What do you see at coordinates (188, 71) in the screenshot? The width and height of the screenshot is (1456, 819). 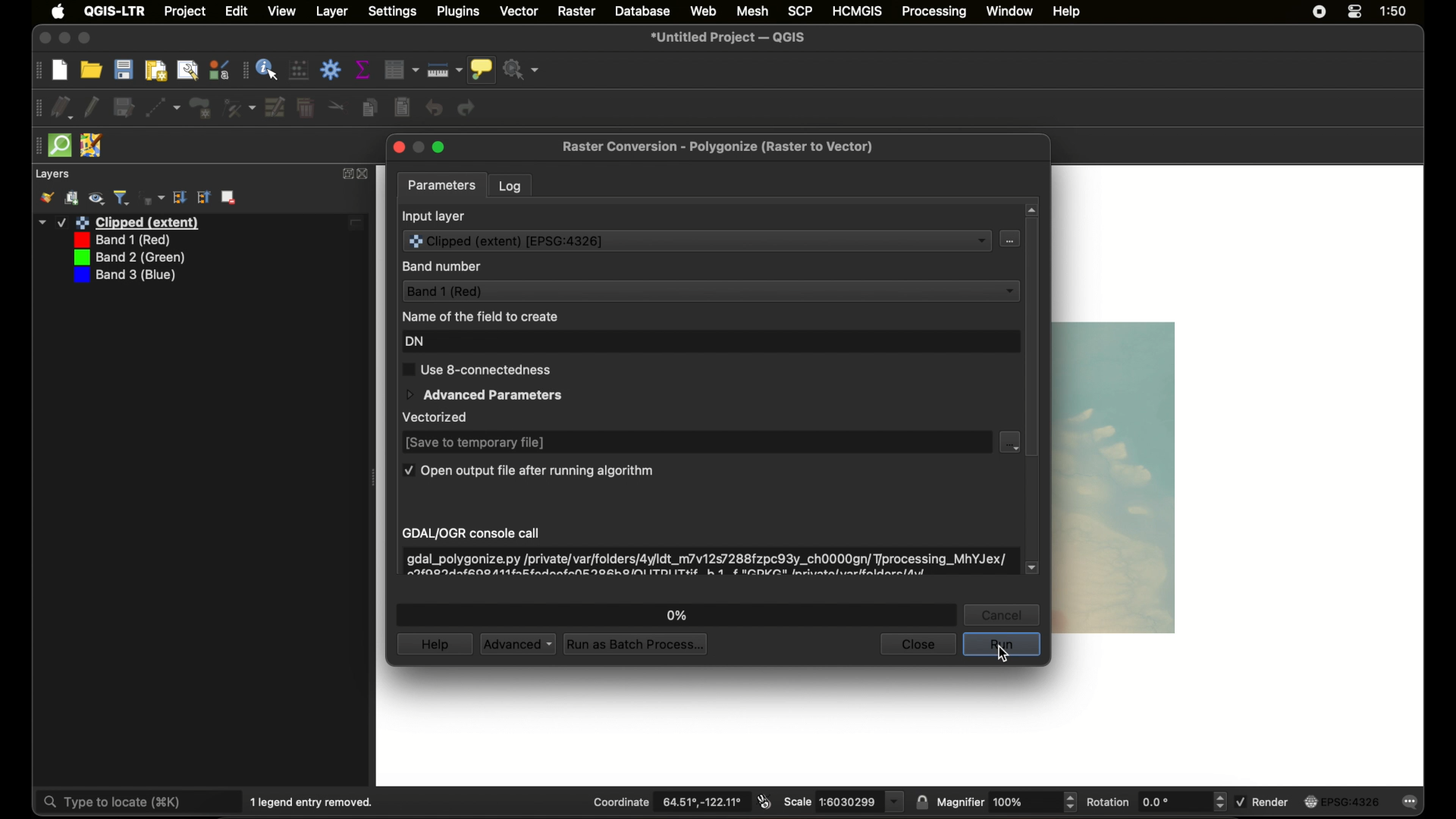 I see `show layout manager` at bounding box center [188, 71].